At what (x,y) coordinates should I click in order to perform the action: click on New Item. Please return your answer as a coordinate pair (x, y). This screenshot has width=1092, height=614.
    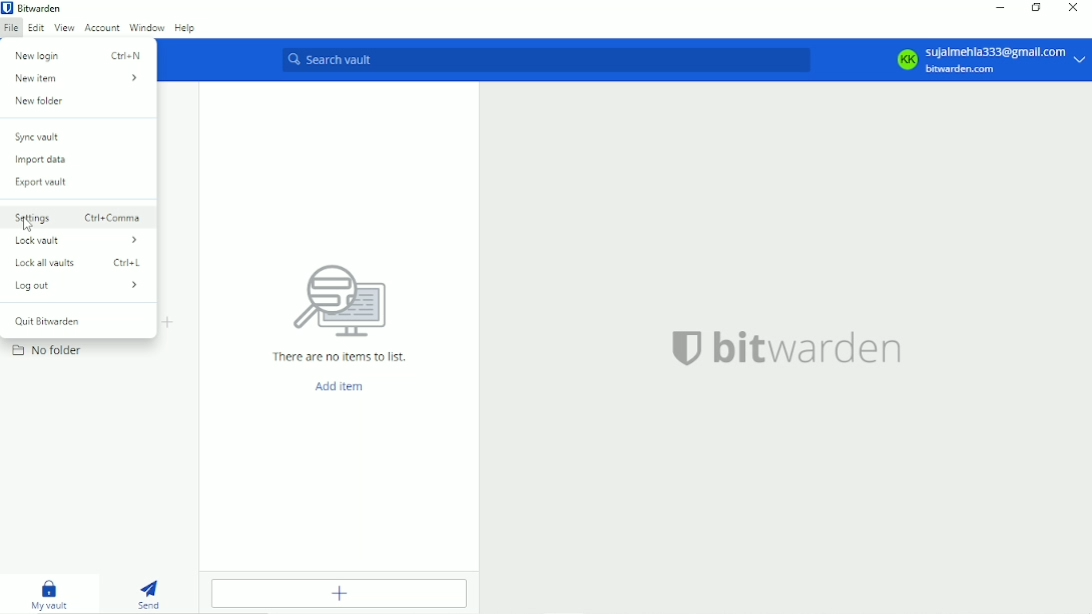
    Looking at the image, I should click on (79, 78).